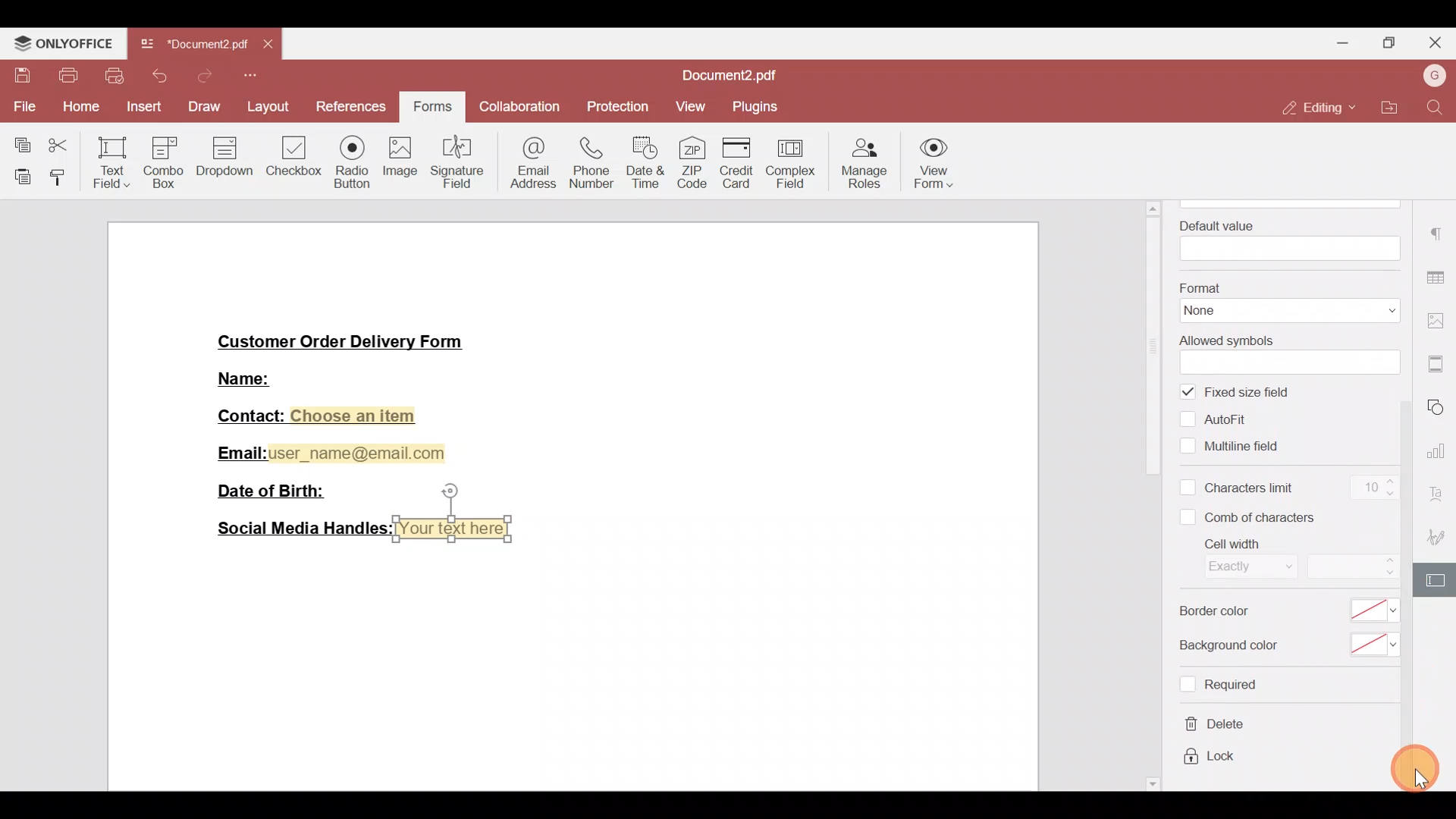  I want to click on Quick print, so click(116, 76).